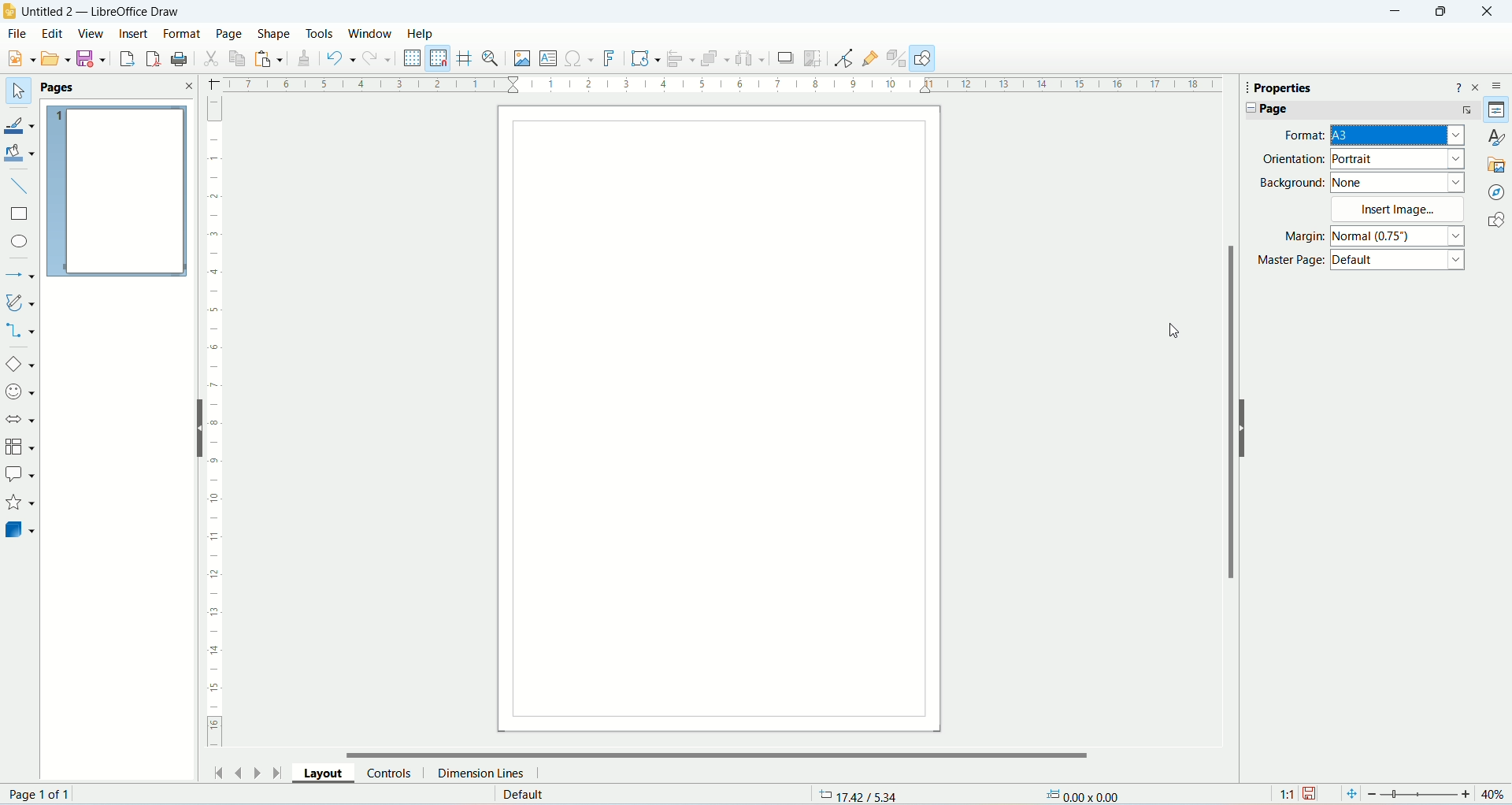 This screenshot has height=805, width=1512. What do you see at coordinates (645, 59) in the screenshot?
I see `transformation` at bounding box center [645, 59].